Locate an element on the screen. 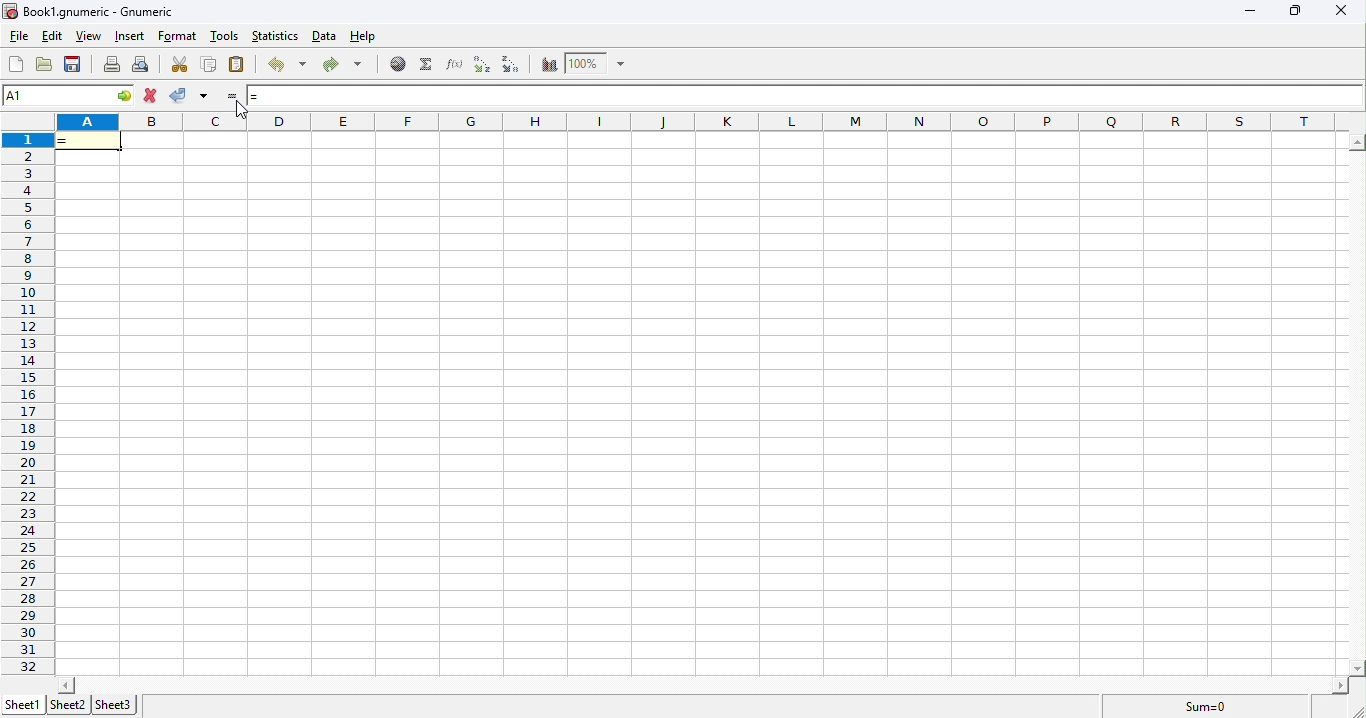 The image size is (1366, 718). data is located at coordinates (325, 36).